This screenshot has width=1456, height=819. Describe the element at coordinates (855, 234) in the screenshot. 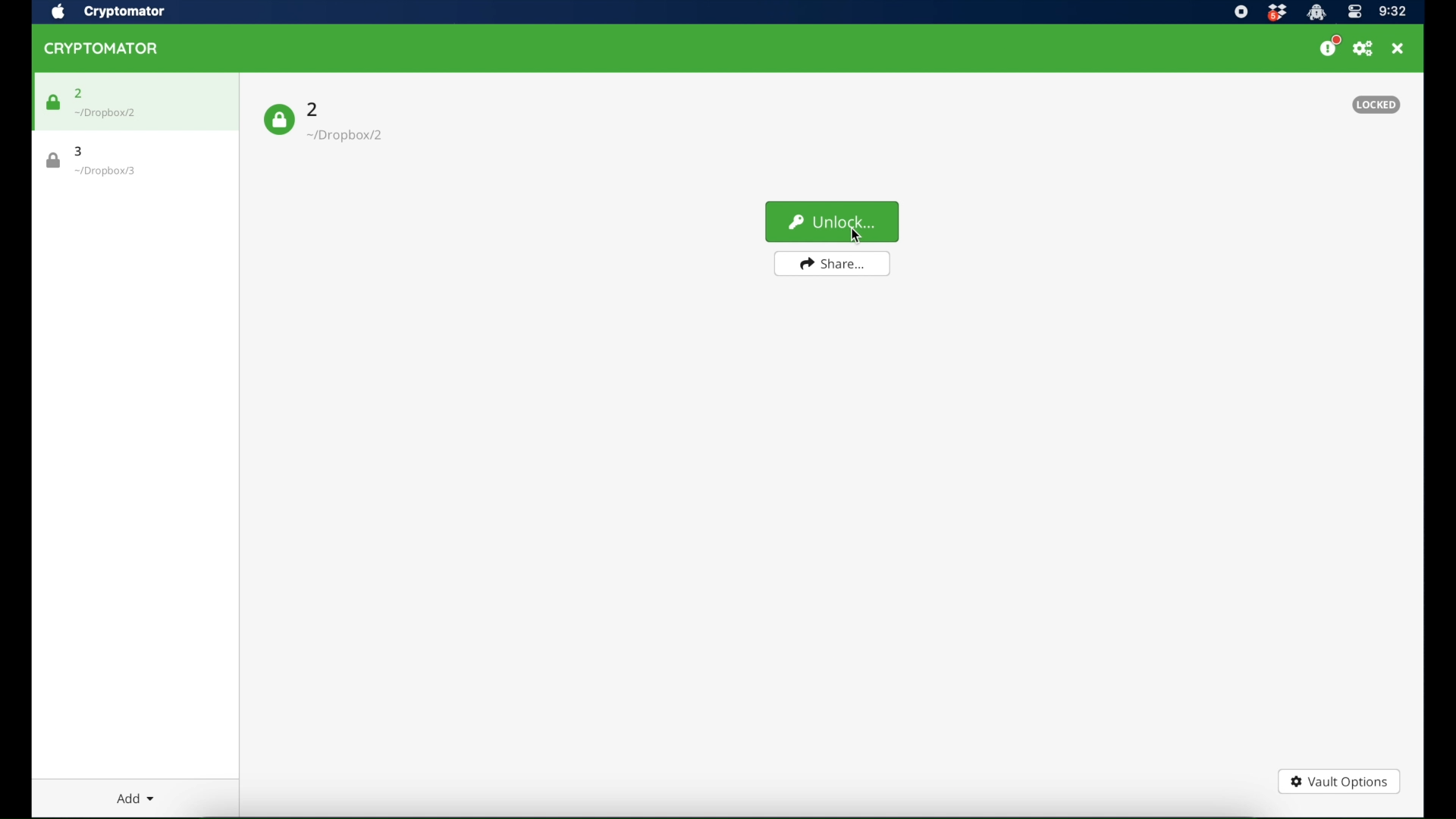

I see `cursor` at that location.